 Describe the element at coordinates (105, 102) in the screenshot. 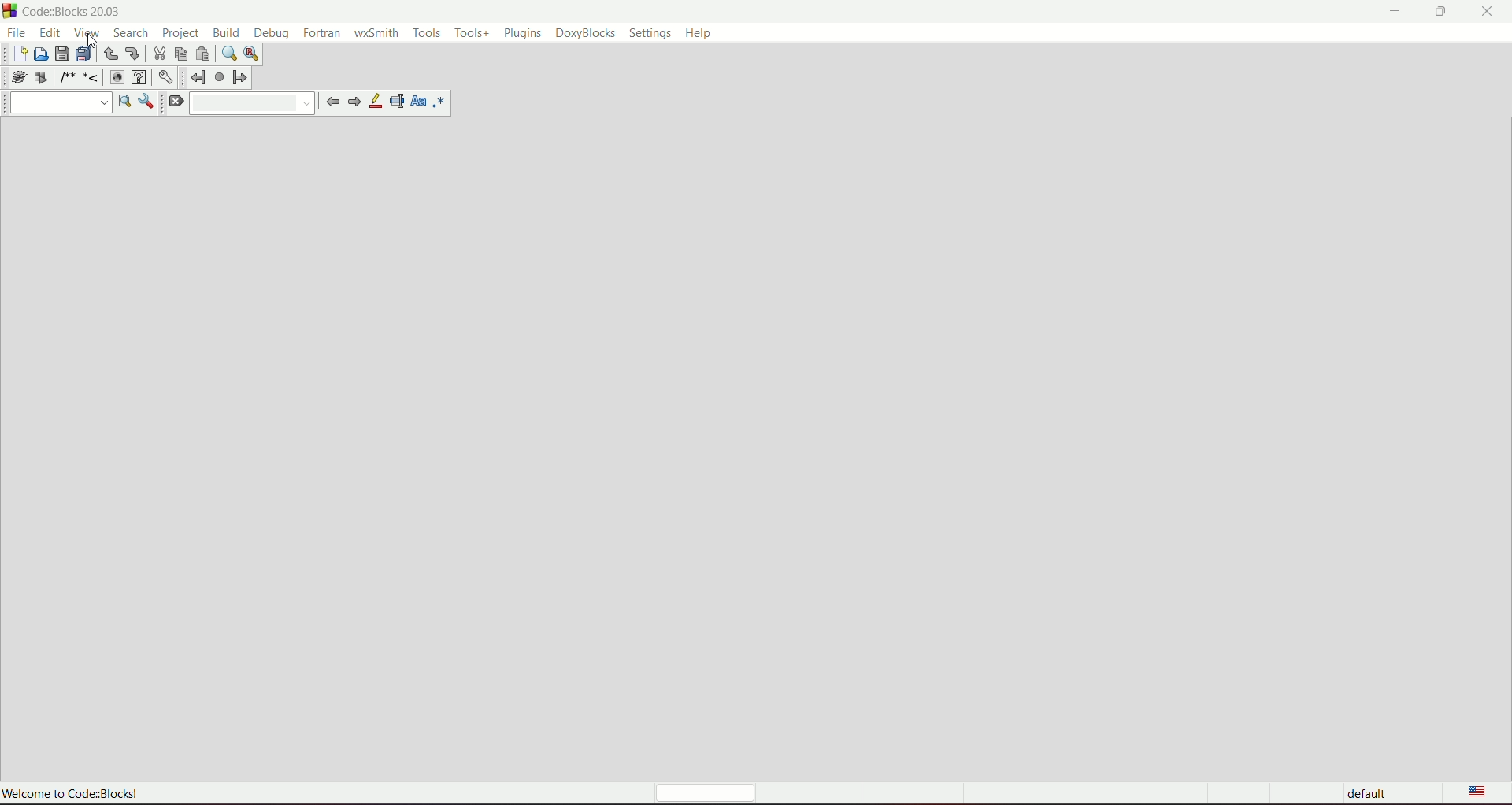

I see `Drop dpwn` at that location.